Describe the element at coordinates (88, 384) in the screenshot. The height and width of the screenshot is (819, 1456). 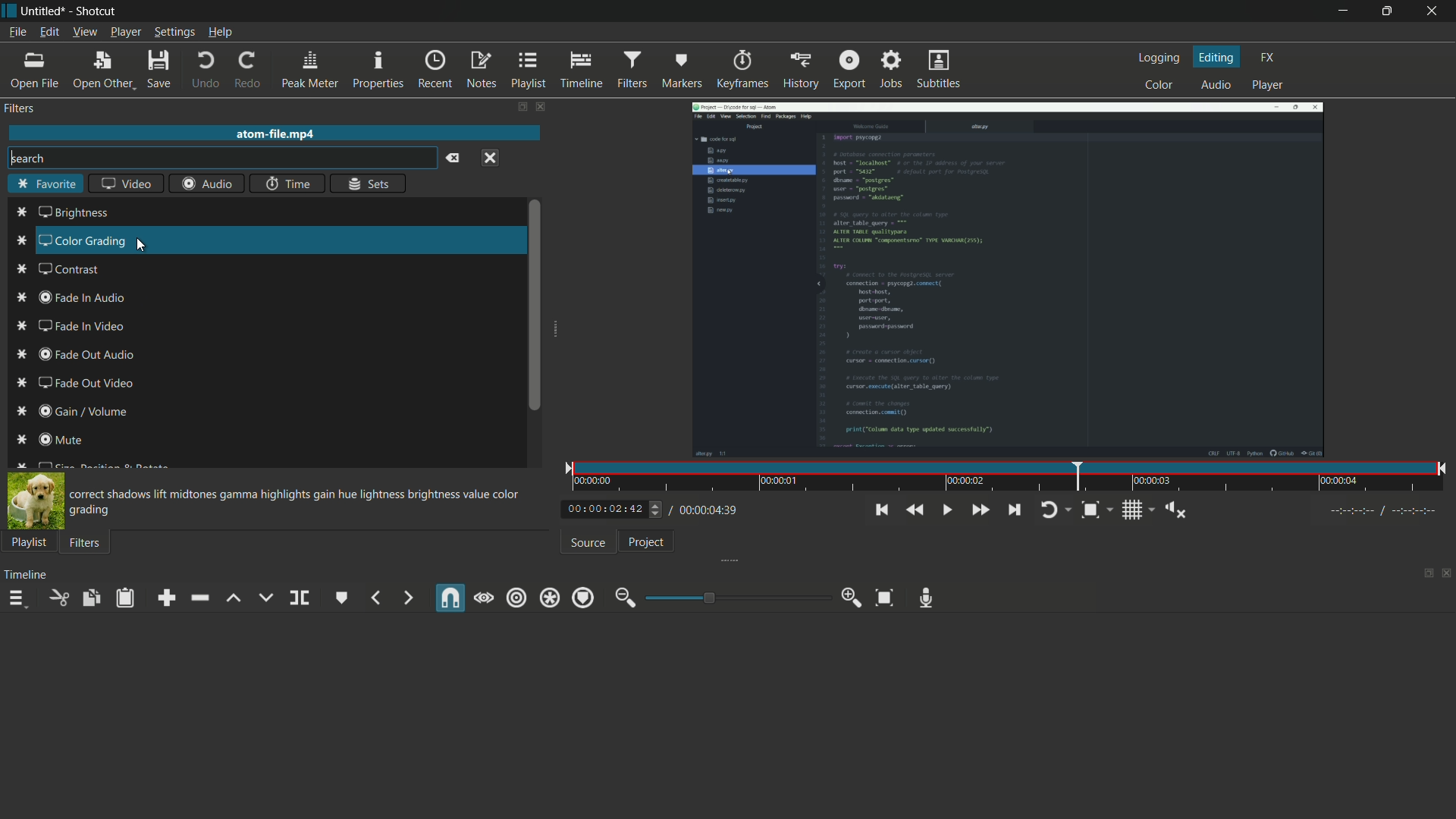
I see `fade out video` at that location.